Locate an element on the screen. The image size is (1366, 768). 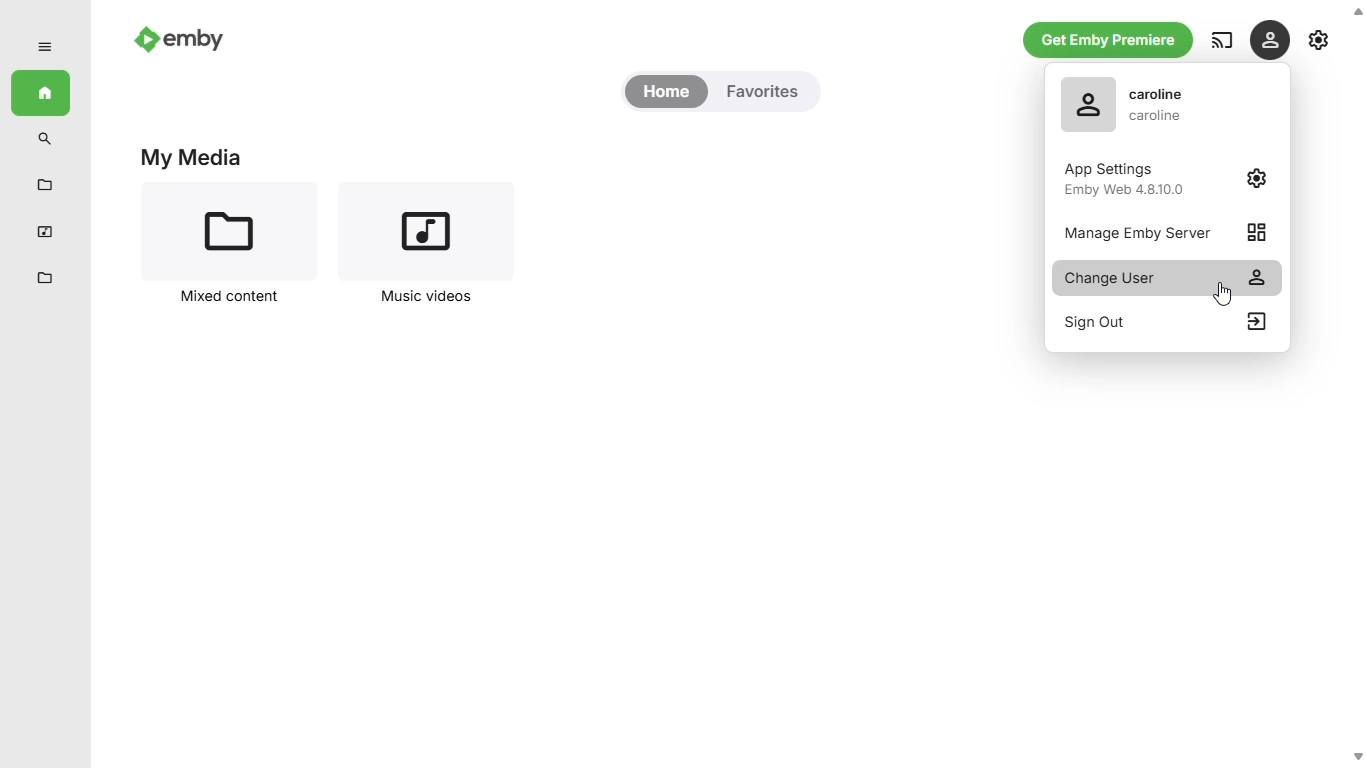
expand is located at coordinates (44, 47).